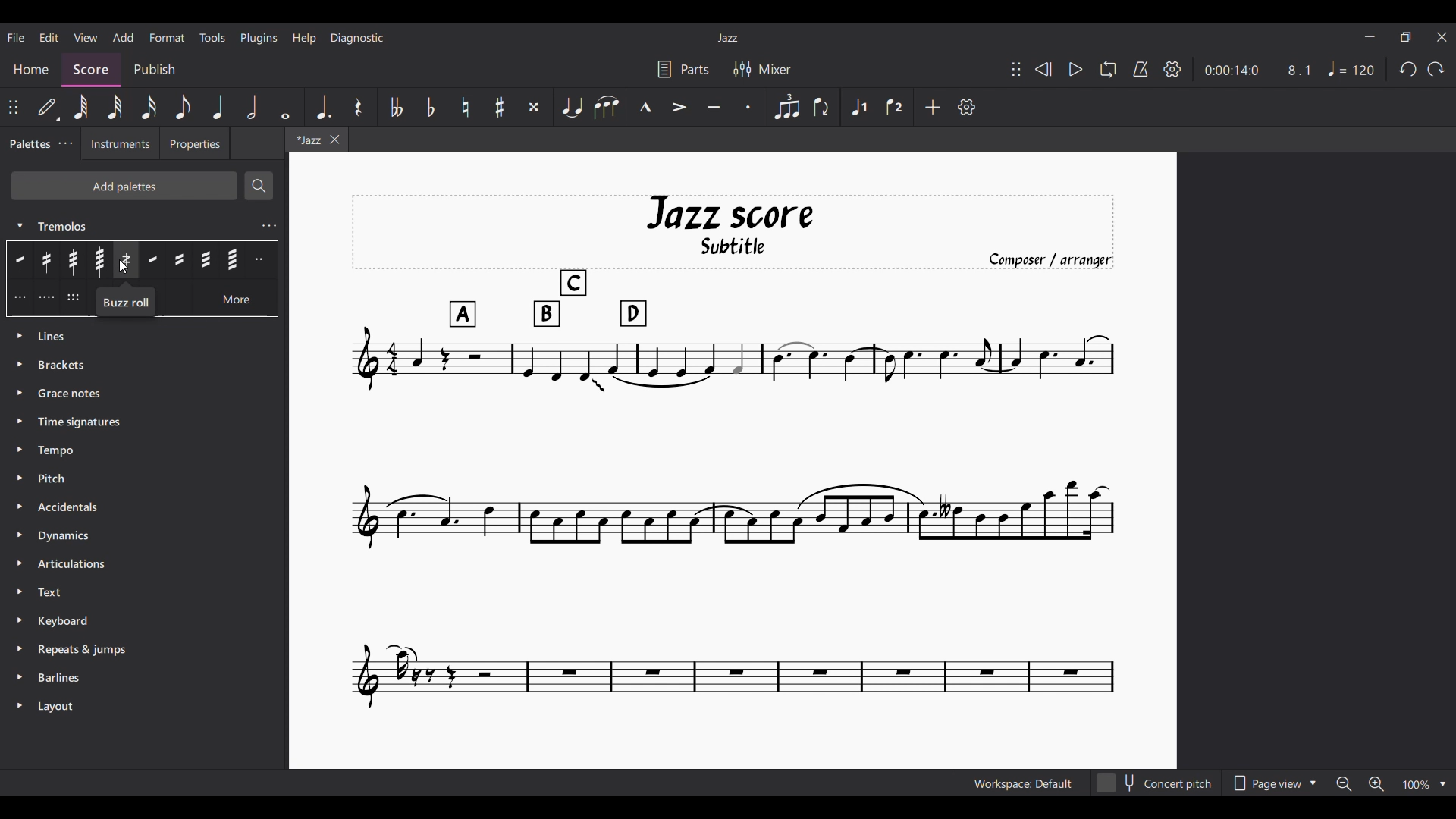  What do you see at coordinates (894, 106) in the screenshot?
I see `Voice 2` at bounding box center [894, 106].